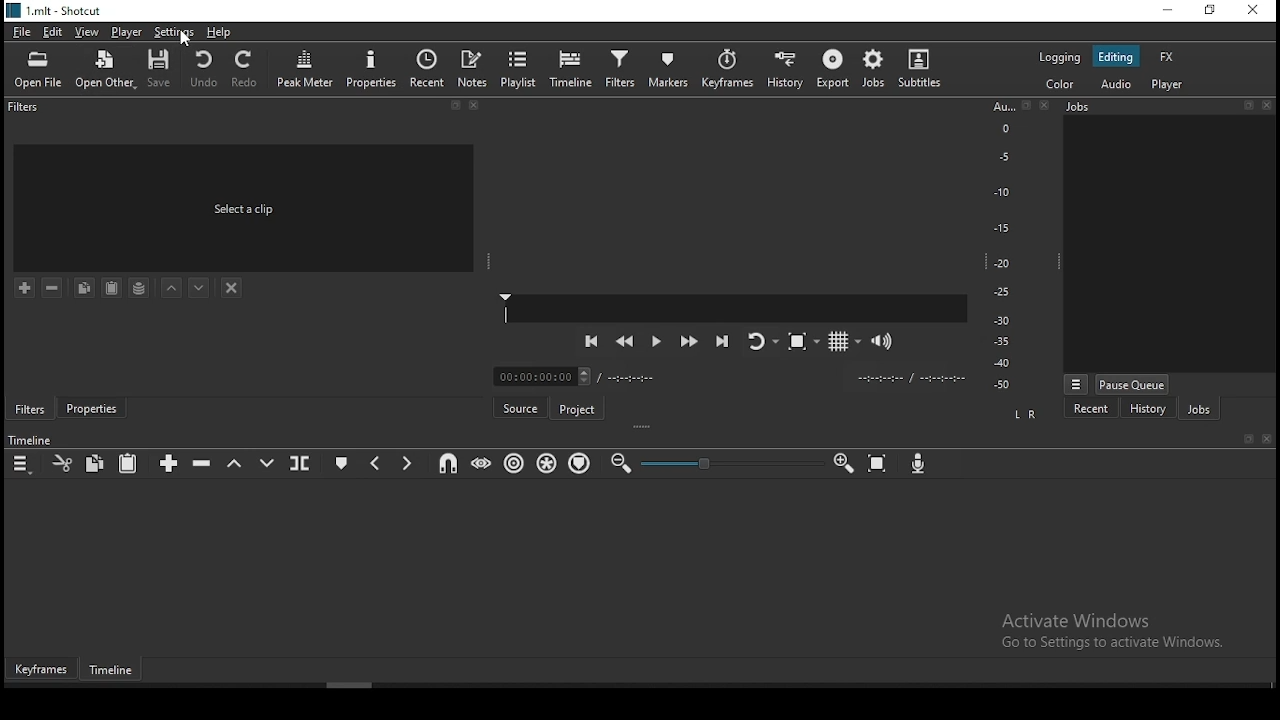 The width and height of the screenshot is (1280, 720). What do you see at coordinates (265, 461) in the screenshot?
I see `overwrite` at bounding box center [265, 461].